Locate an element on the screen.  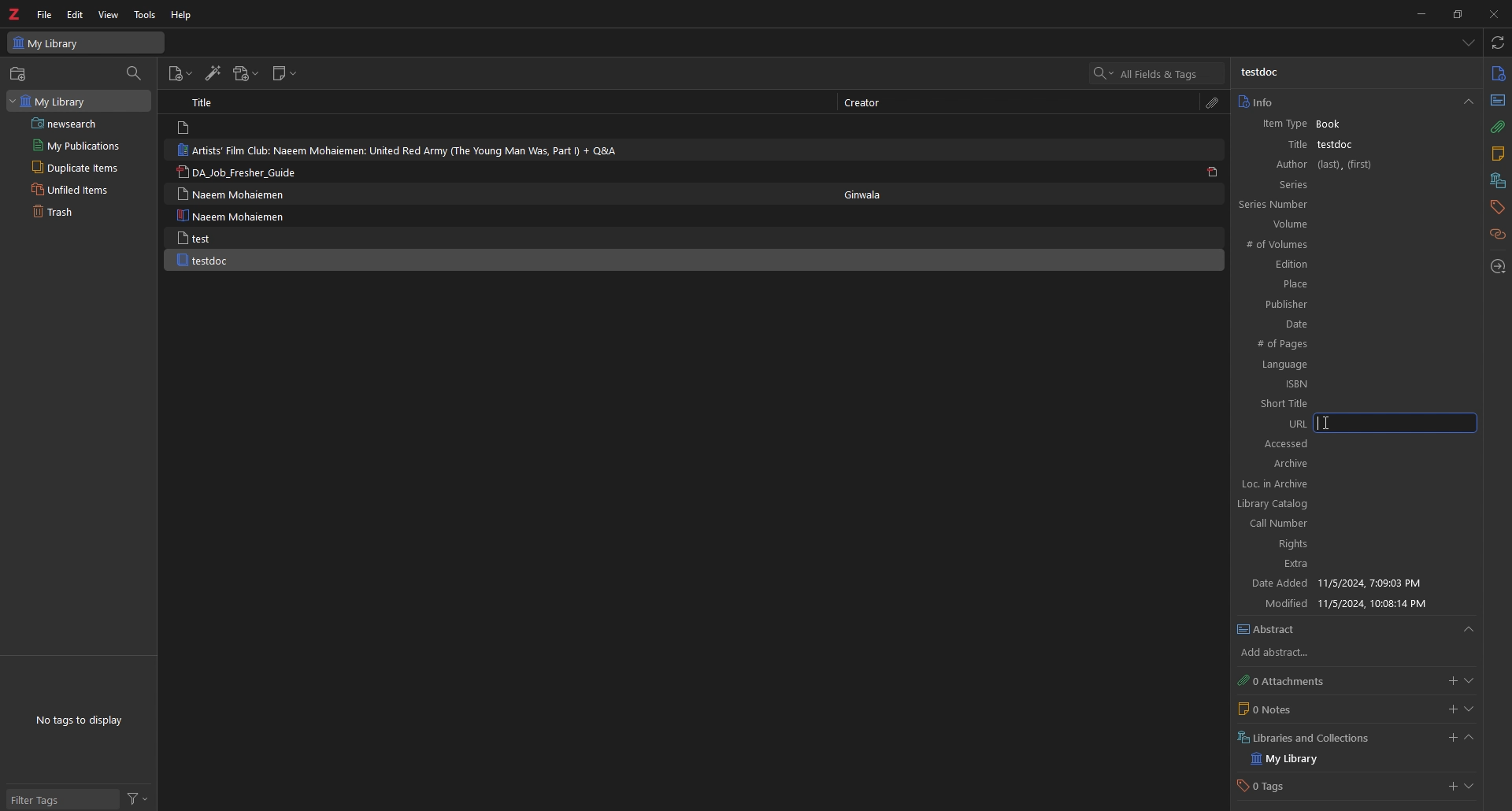
Date is located at coordinates (1333, 324).